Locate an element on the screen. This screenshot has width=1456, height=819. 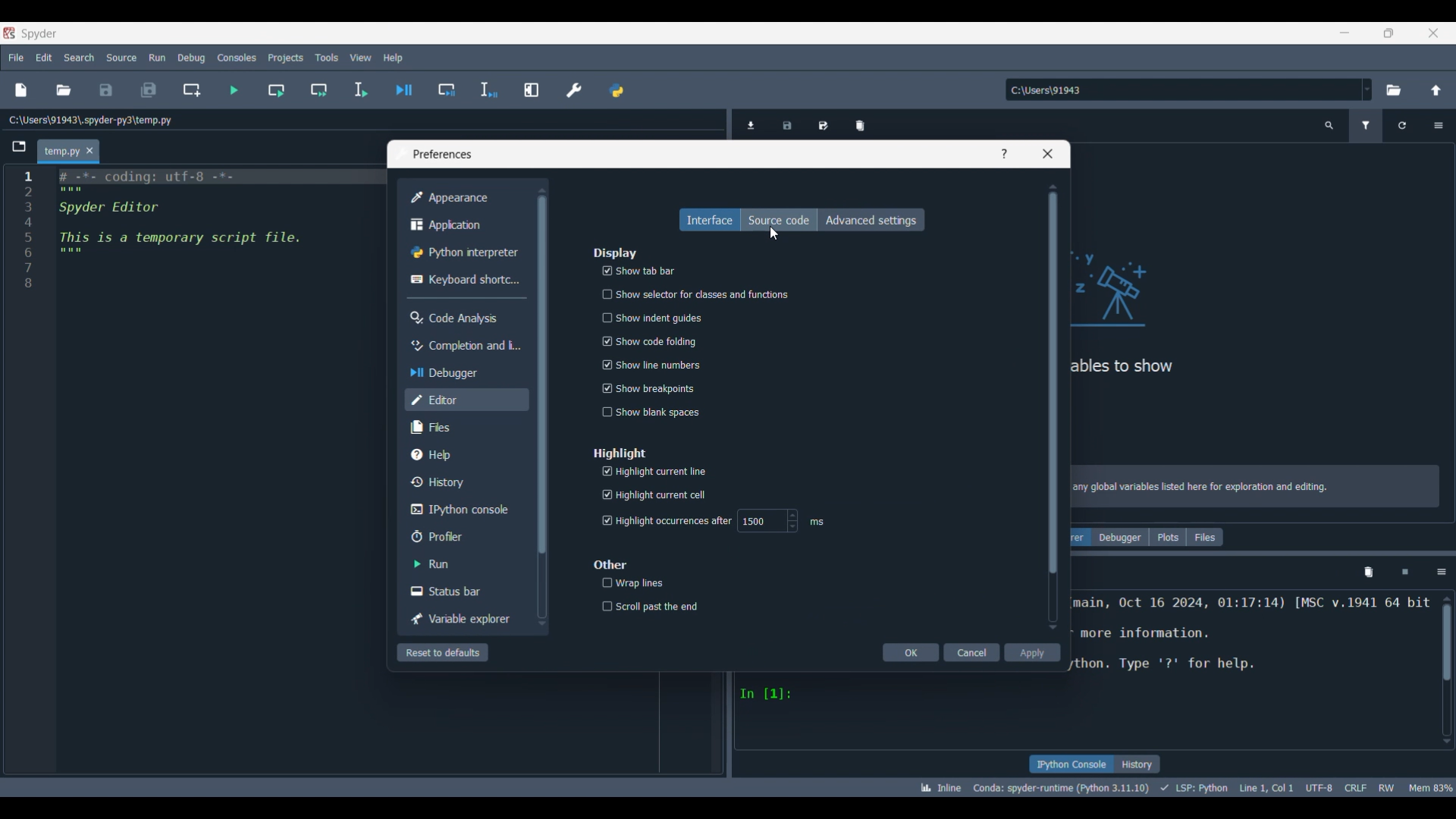
‘Show code folding is located at coordinates (651, 342).